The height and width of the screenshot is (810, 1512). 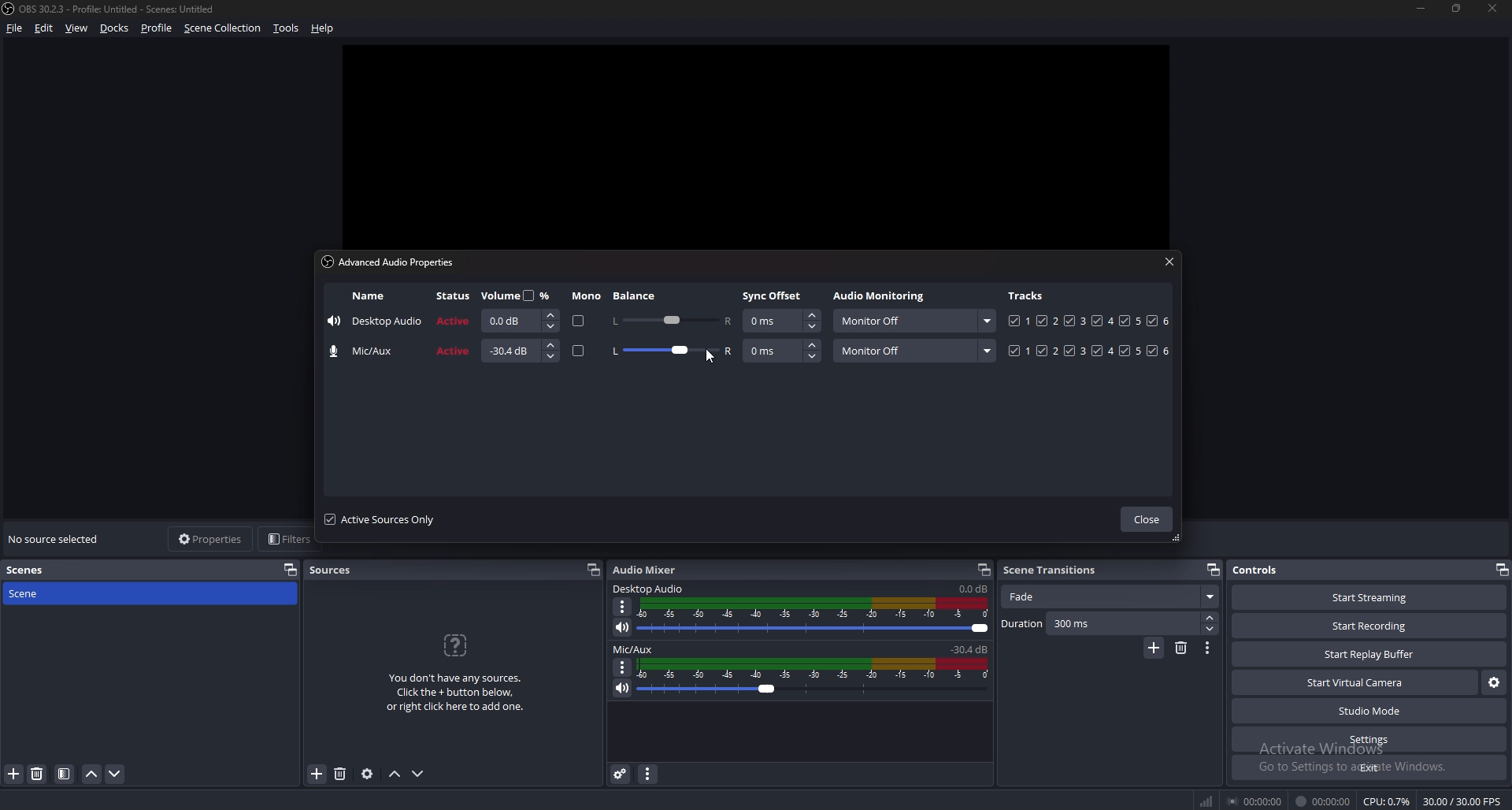 What do you see at coordinates (64, 775) in the screenshot?
I see `filter` at bounding box center [64, 775].